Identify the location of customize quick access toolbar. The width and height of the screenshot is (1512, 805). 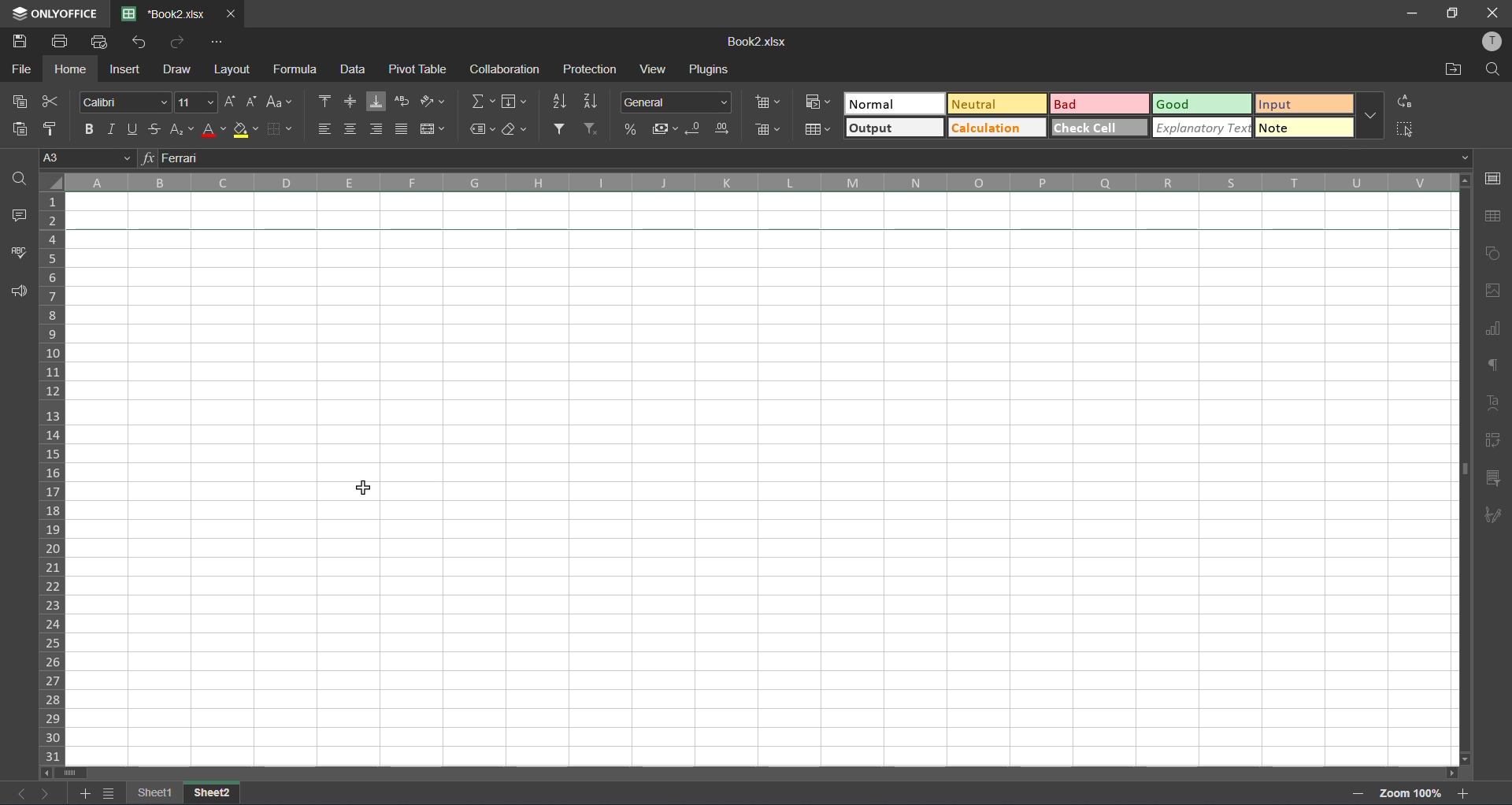
(220, 43).